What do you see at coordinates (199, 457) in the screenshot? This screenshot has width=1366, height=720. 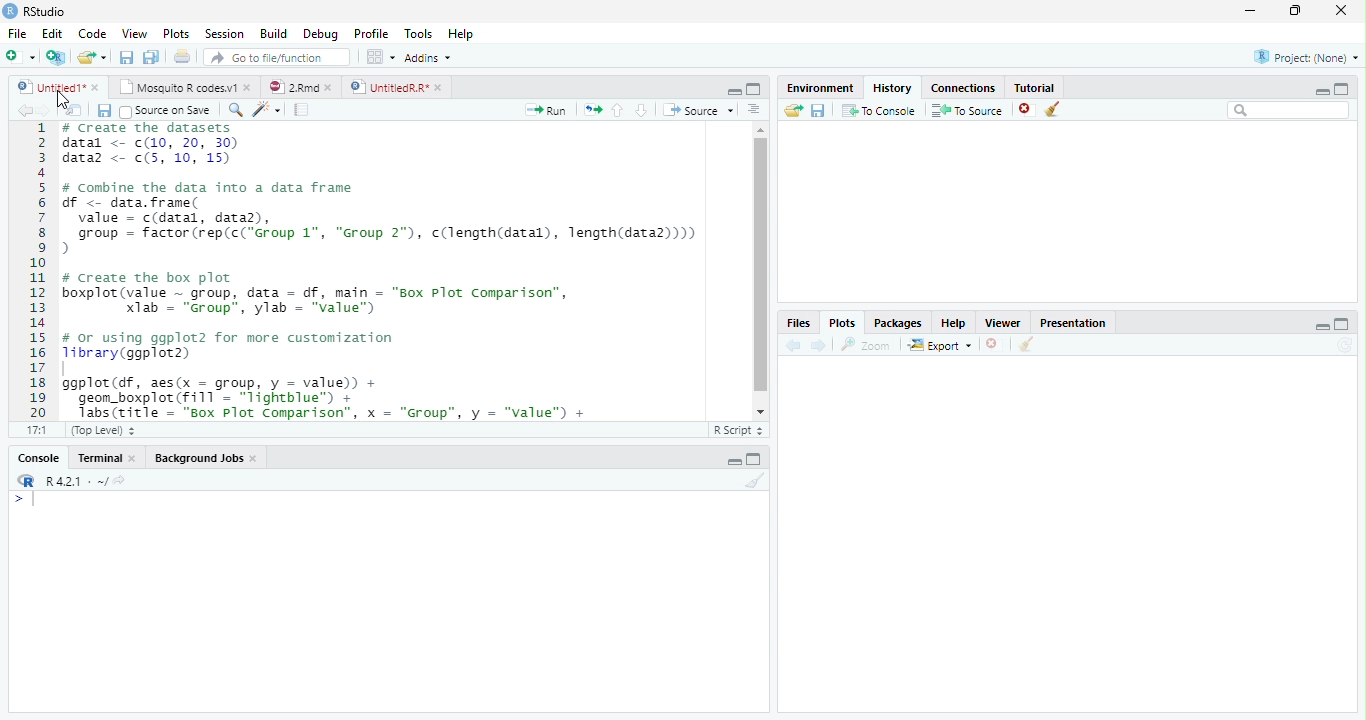 I see `Background Jobs` at bounding box center [199, 457].